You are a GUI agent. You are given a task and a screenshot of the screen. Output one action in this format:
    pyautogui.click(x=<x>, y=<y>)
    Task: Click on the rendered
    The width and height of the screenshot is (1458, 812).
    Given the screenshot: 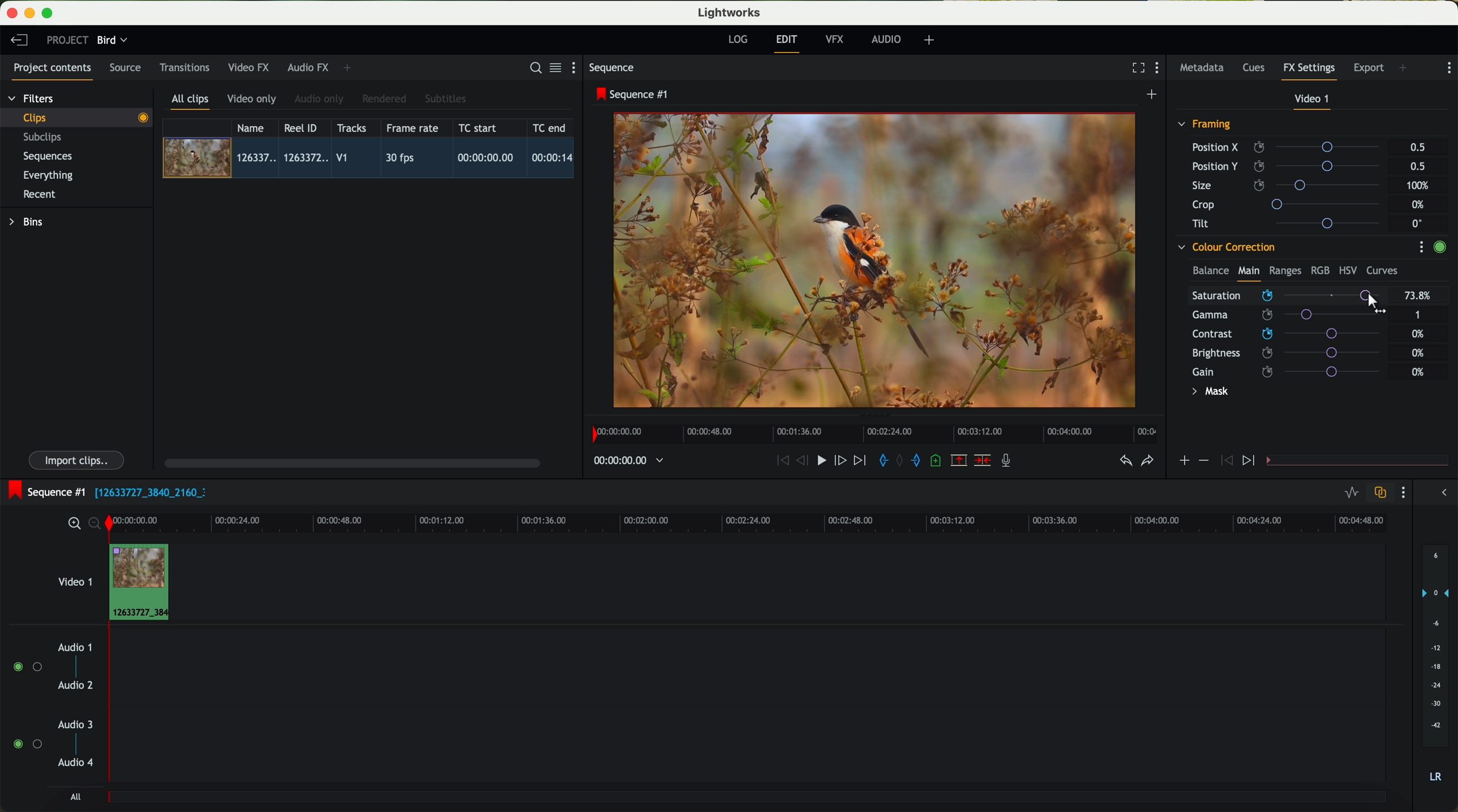 What is the action you would take?
    pyautogui.click(x=385, y=100)
    